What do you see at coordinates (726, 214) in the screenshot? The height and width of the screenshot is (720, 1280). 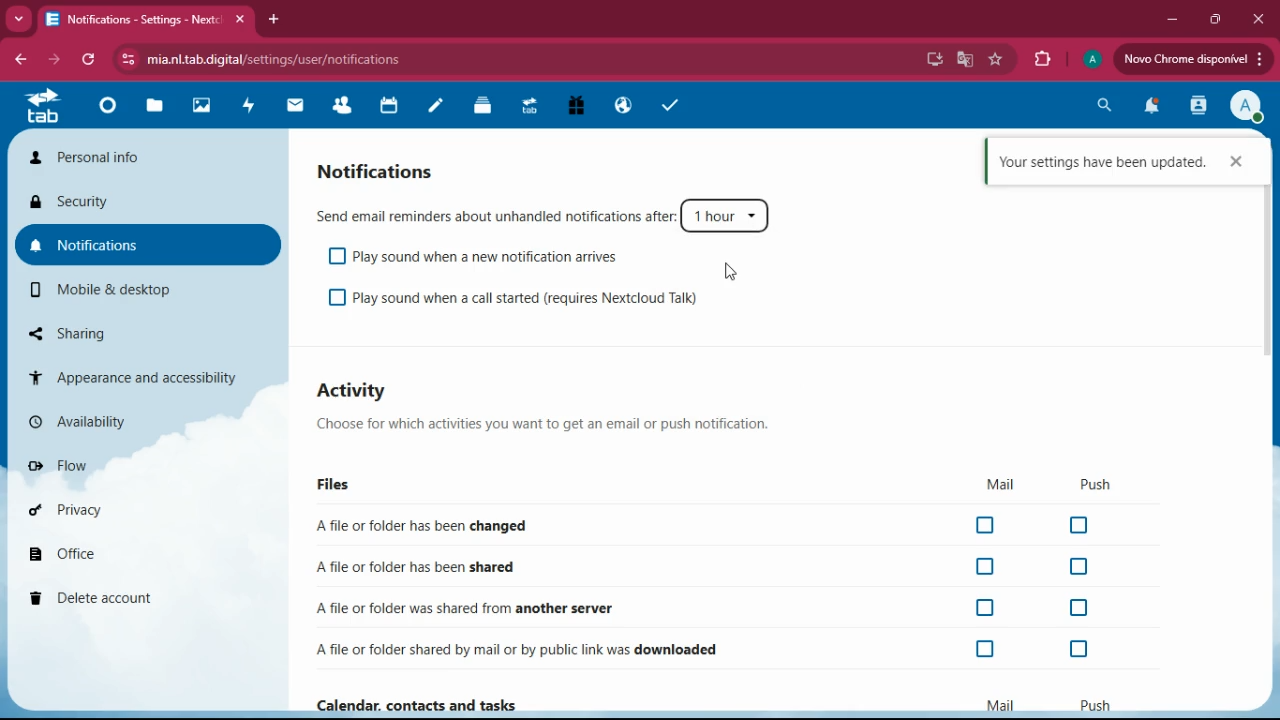 I see `1 hour` at bounding box center [726, 214].